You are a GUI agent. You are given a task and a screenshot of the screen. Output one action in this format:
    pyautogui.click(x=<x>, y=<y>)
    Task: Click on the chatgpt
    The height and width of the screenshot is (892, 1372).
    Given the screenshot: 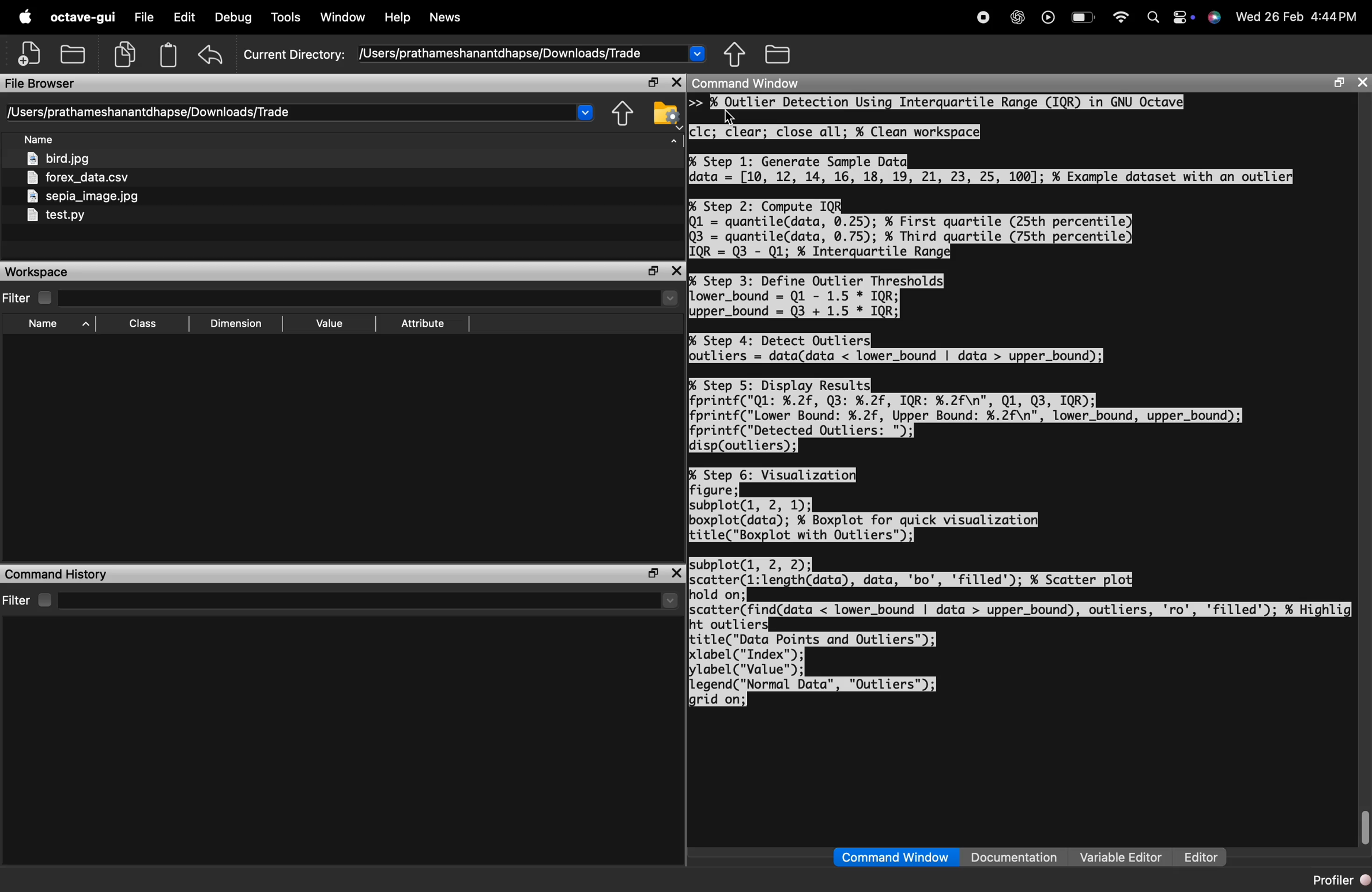 What is the action you would take?
    pyautogui.click(x=1018, y=19)
    